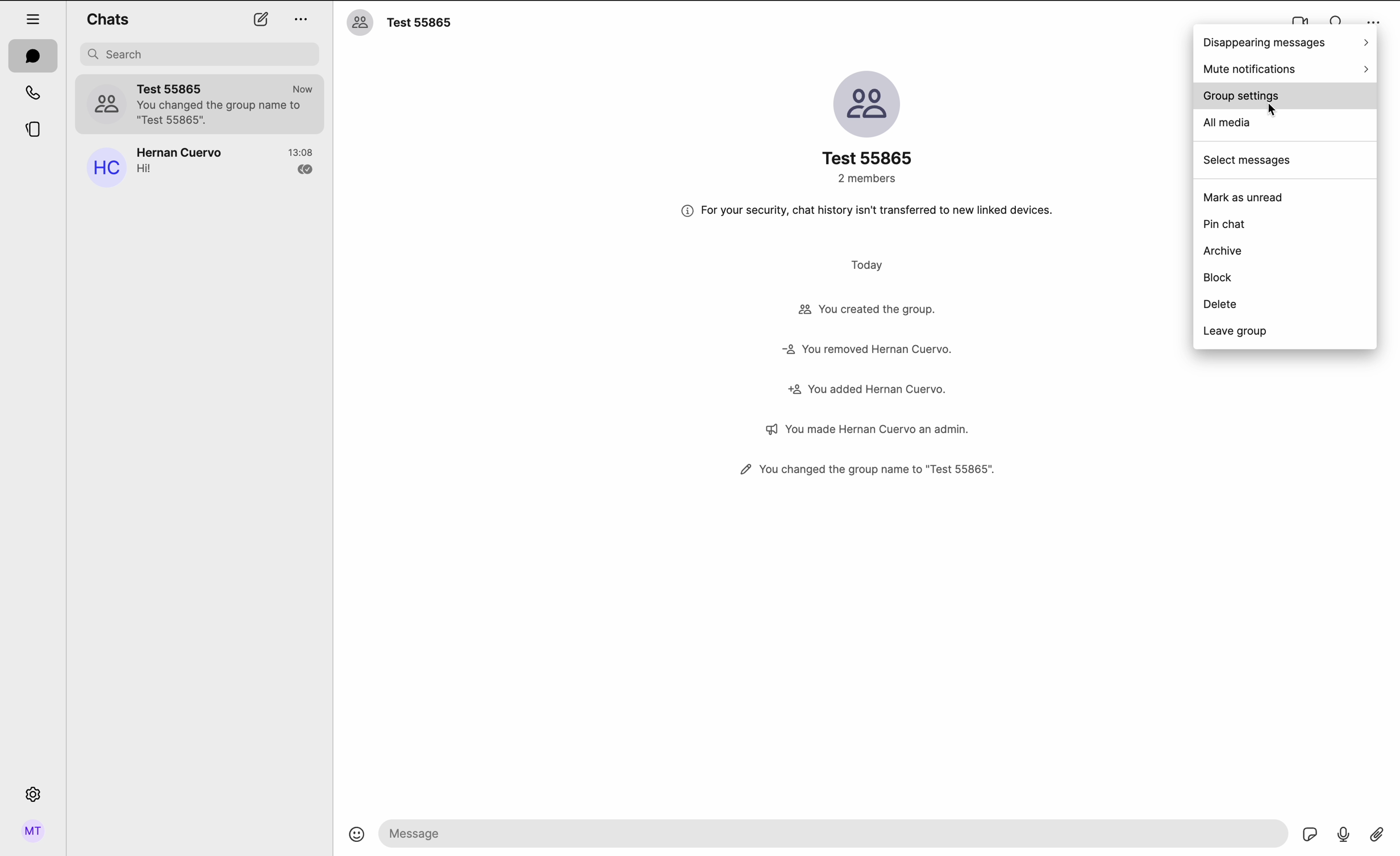  I want to click on mark as unread, so click(1243, 197).